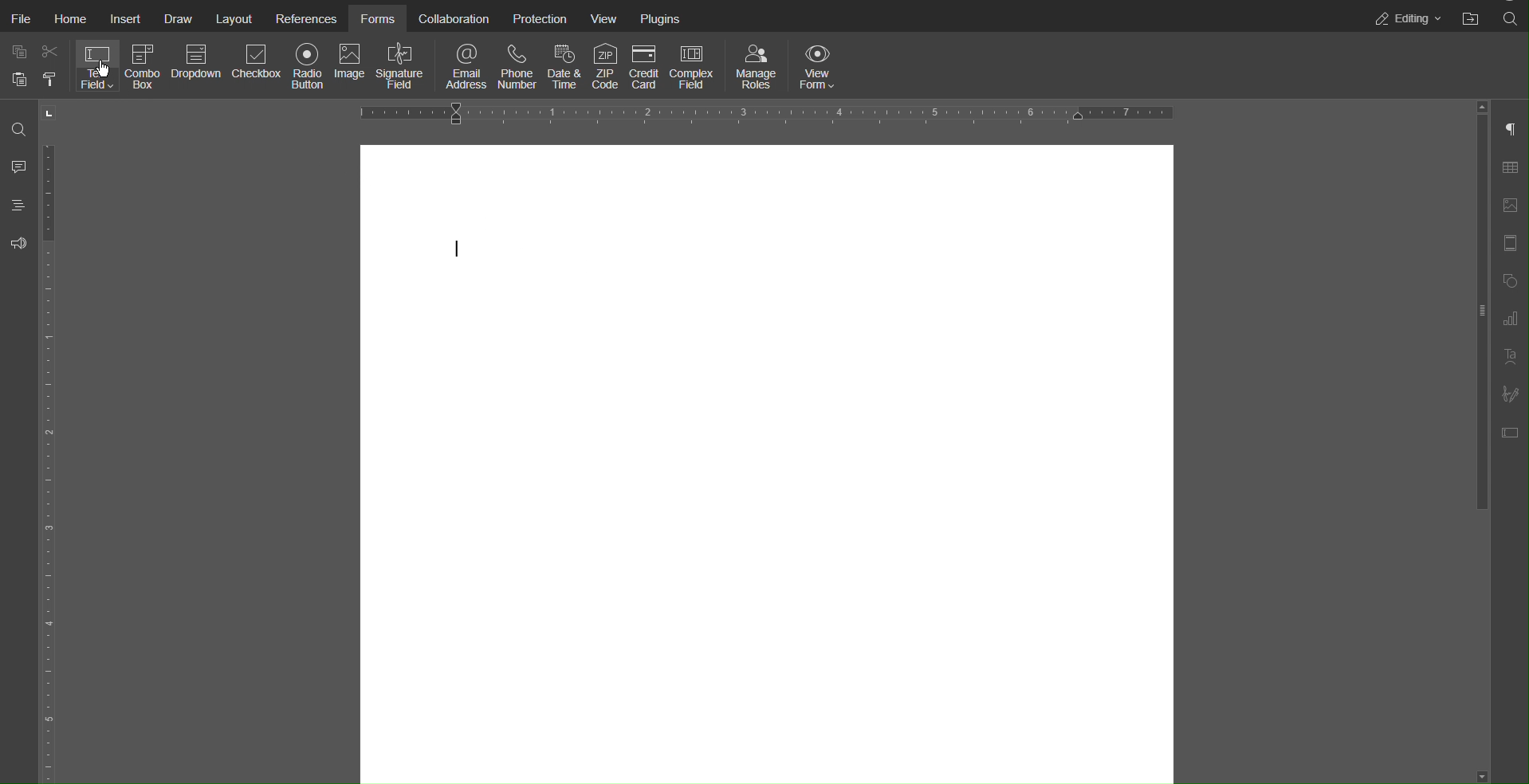 The width and height of the screenshot is (1529, 784). Describe the element at coordinates (145, 66) in the screenshot. I see `Combo Box` at that location.